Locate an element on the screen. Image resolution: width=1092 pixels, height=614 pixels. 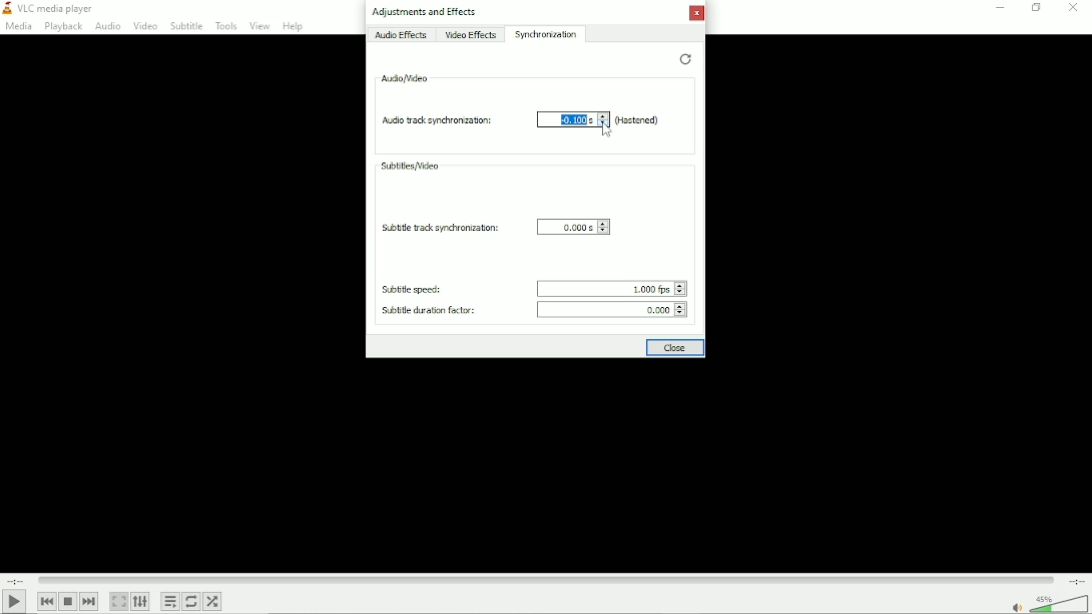
View is located at coordinates (258, 26).